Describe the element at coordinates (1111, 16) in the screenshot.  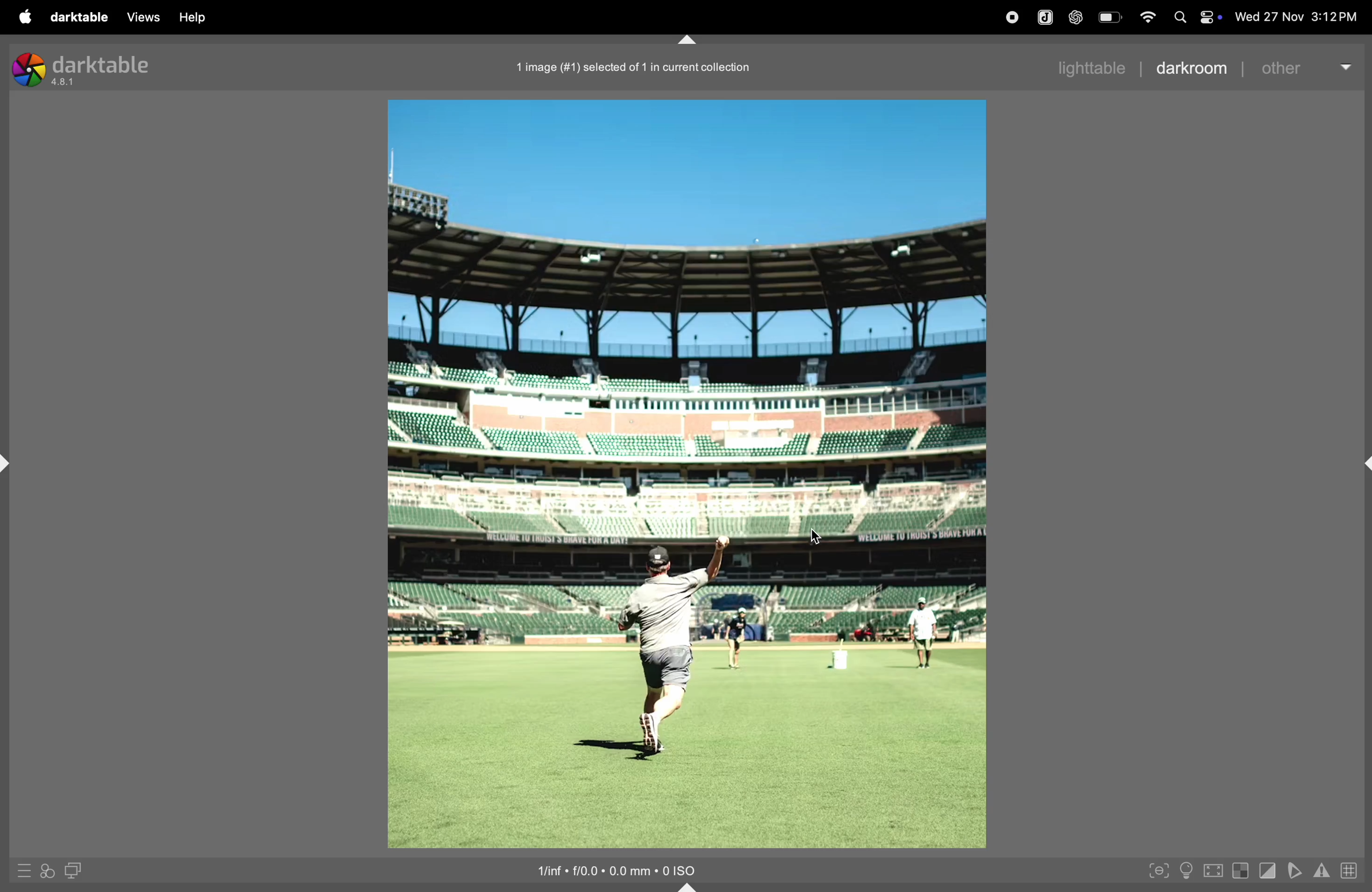
I see `battery` at that location.